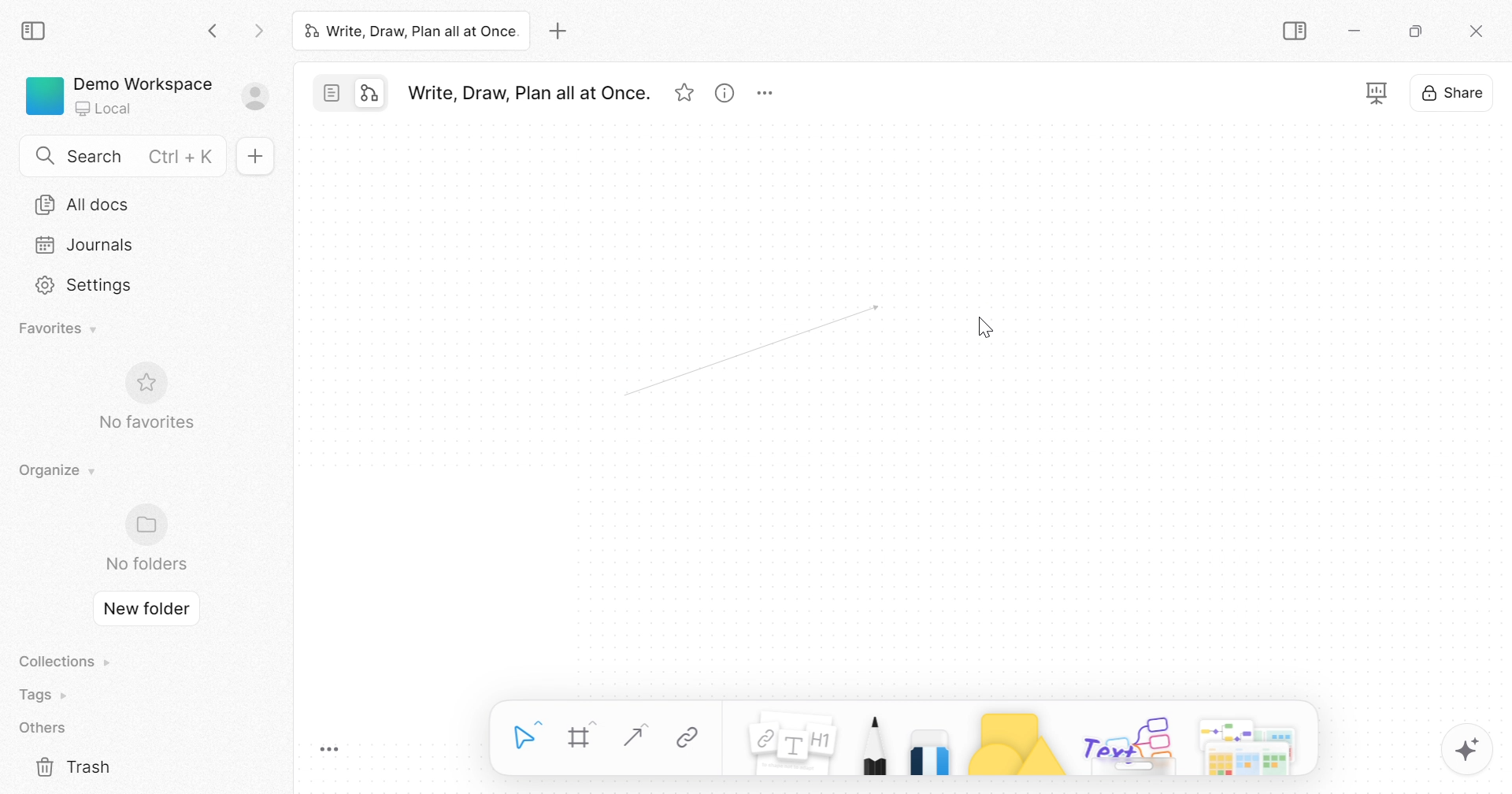 This screenshot has width=1512, height=794. Describe the element at coordinates (147, 609) in the screenshot. I see `New folder` at that location.